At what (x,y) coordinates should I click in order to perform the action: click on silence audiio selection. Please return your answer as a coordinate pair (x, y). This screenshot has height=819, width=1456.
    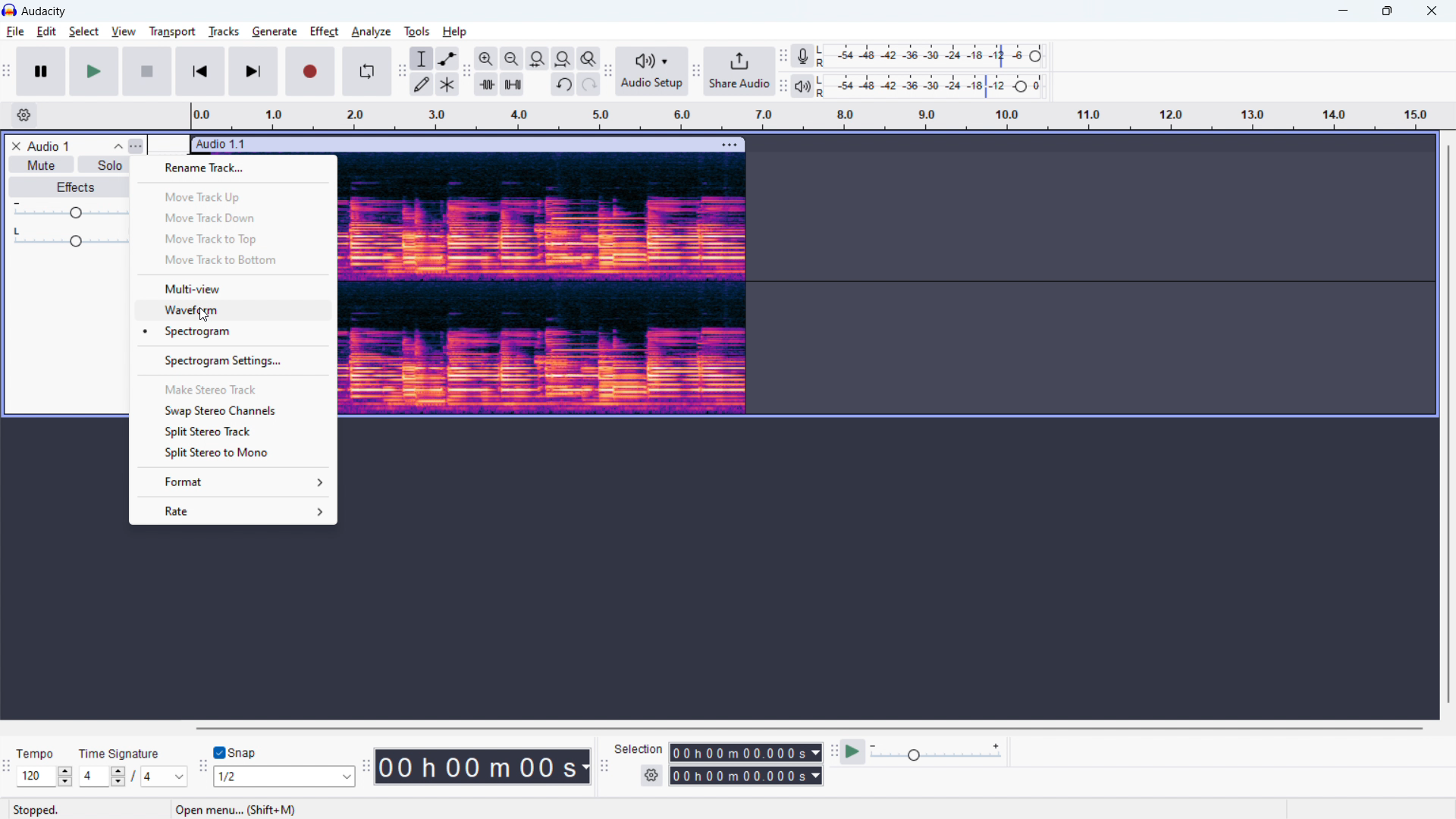
    Looking at the image, I should click on (513, 84).